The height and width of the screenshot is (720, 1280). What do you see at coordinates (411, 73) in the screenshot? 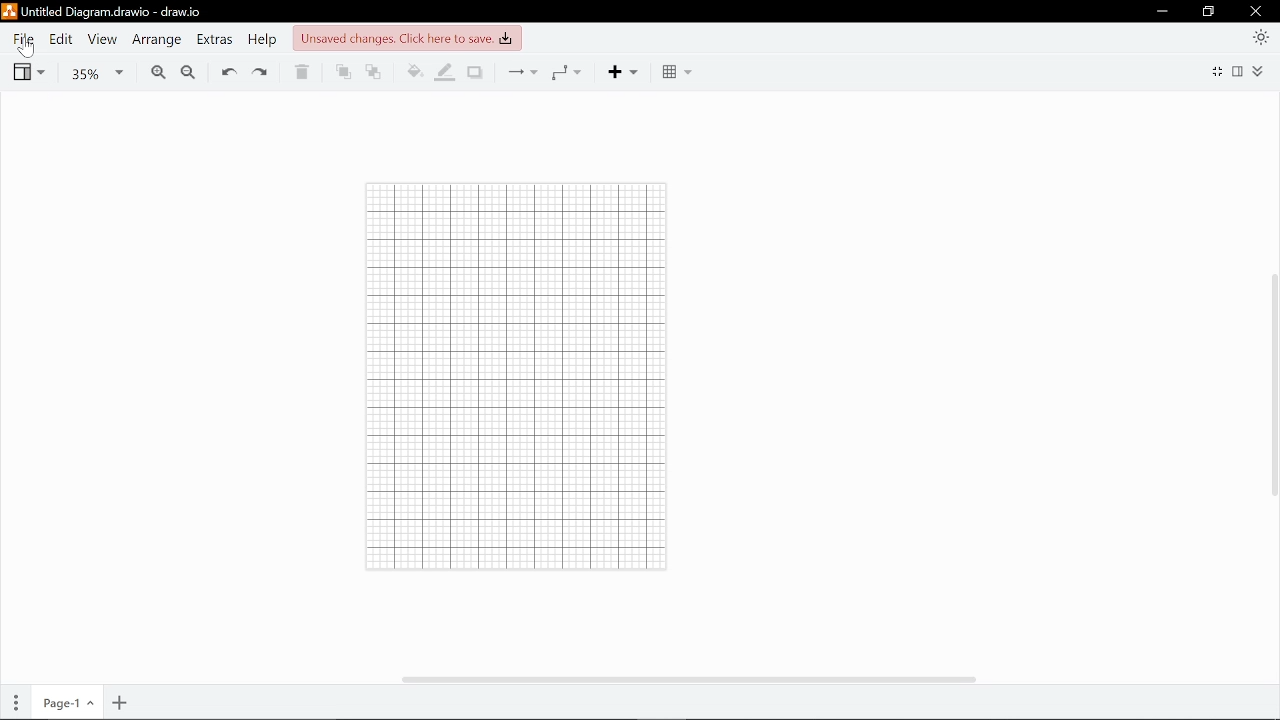
I see `Fill color` at bounding box center [411, 73].